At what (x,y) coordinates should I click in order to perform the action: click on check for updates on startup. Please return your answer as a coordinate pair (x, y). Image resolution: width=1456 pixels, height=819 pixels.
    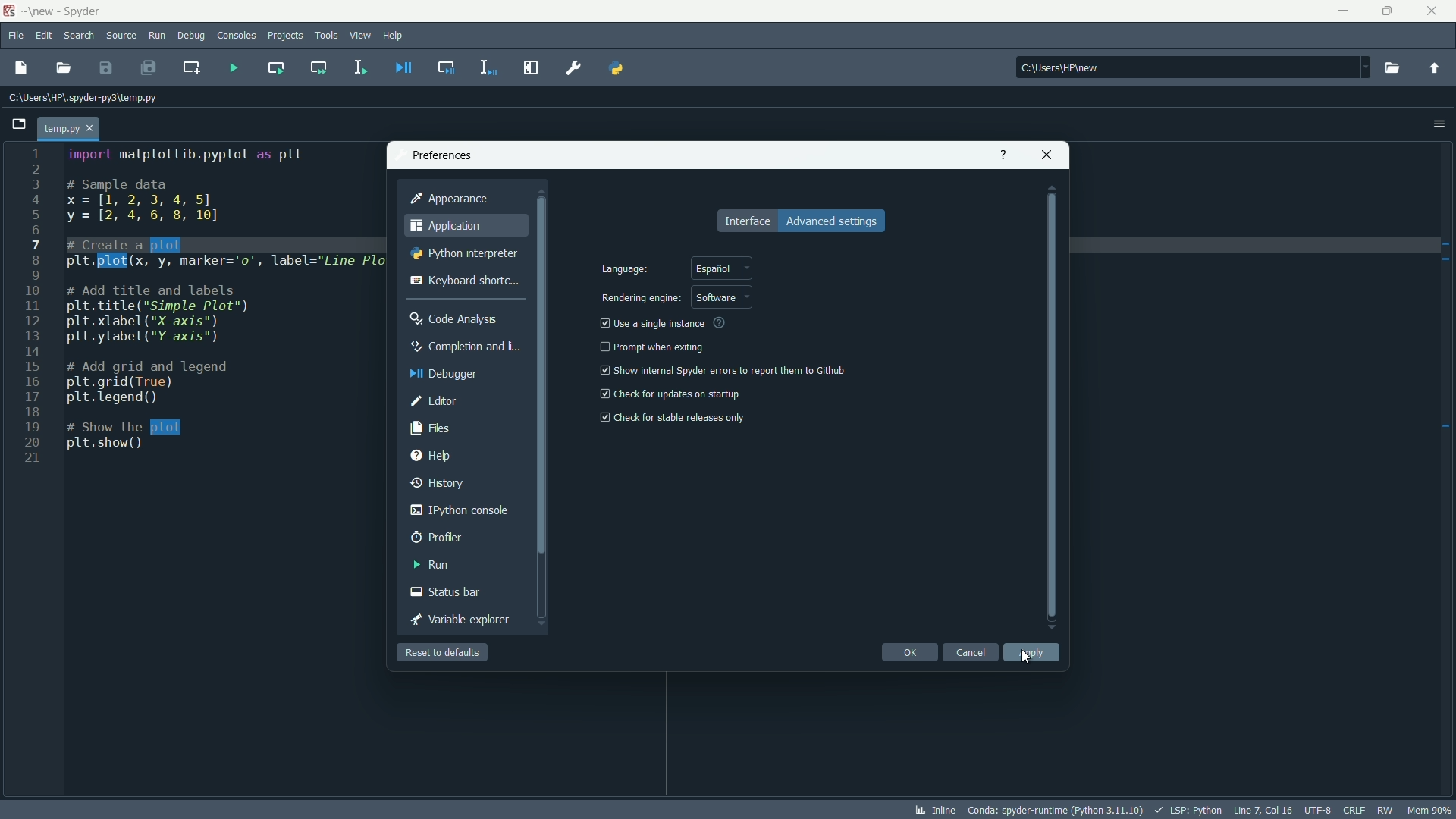
    Looking at the image, I should click on (679, 395).